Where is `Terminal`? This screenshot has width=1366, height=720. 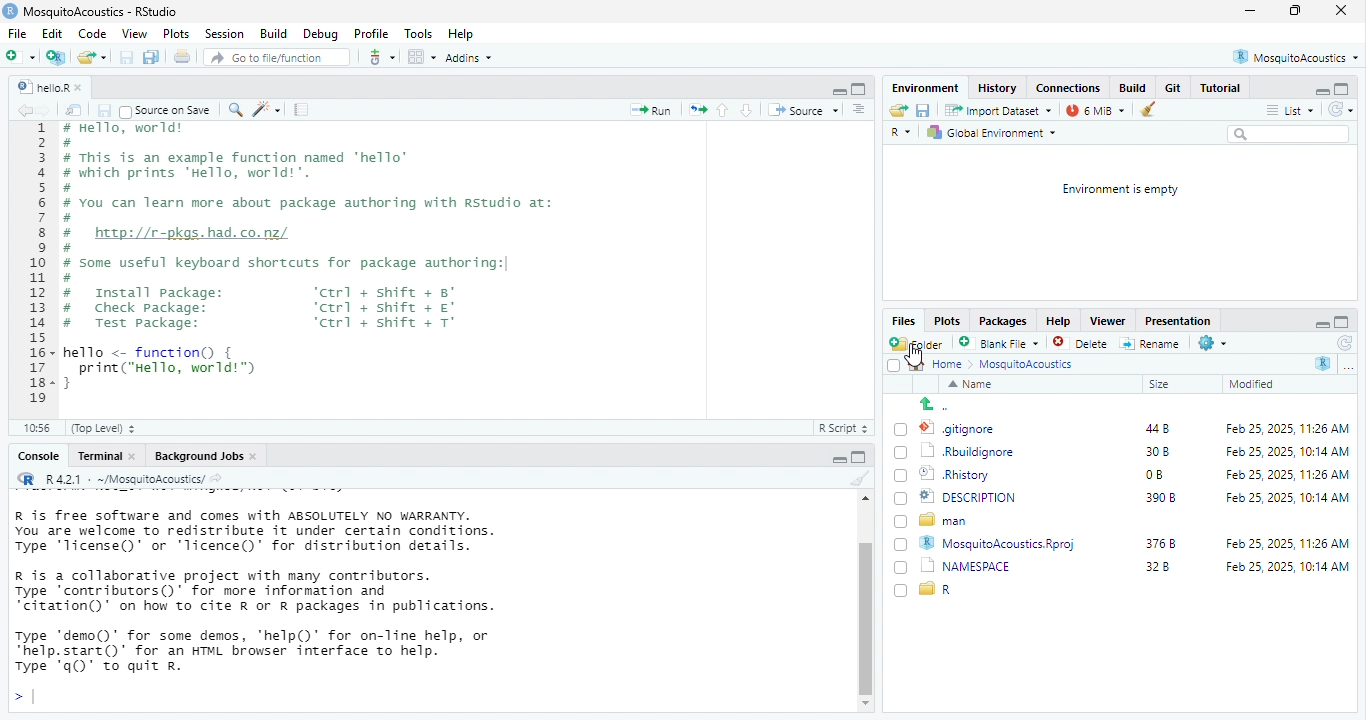
Terminal is located at coordinates (99, 457).